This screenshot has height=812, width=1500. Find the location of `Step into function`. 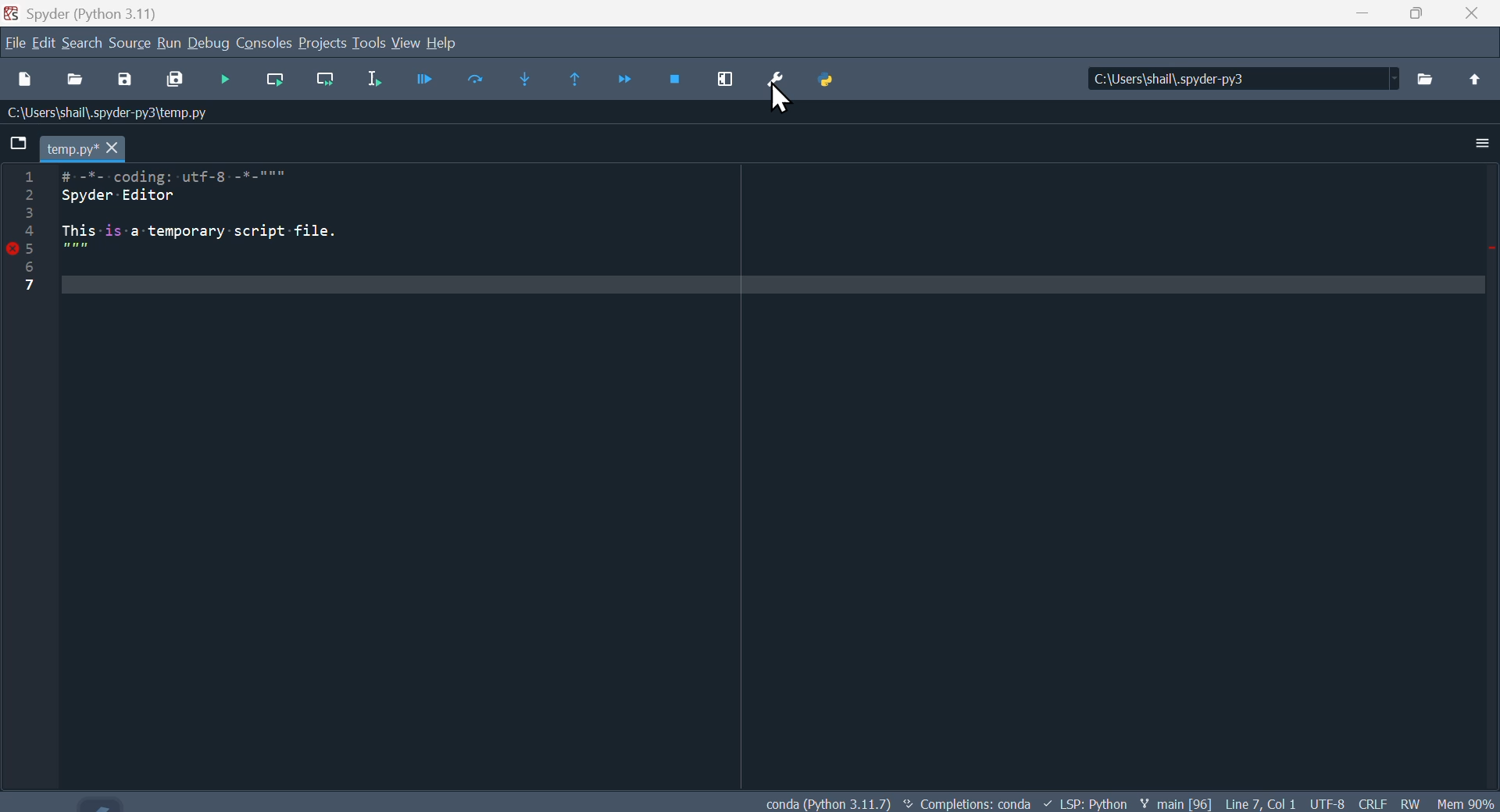

Step into function is located at coordinates (526, 77).